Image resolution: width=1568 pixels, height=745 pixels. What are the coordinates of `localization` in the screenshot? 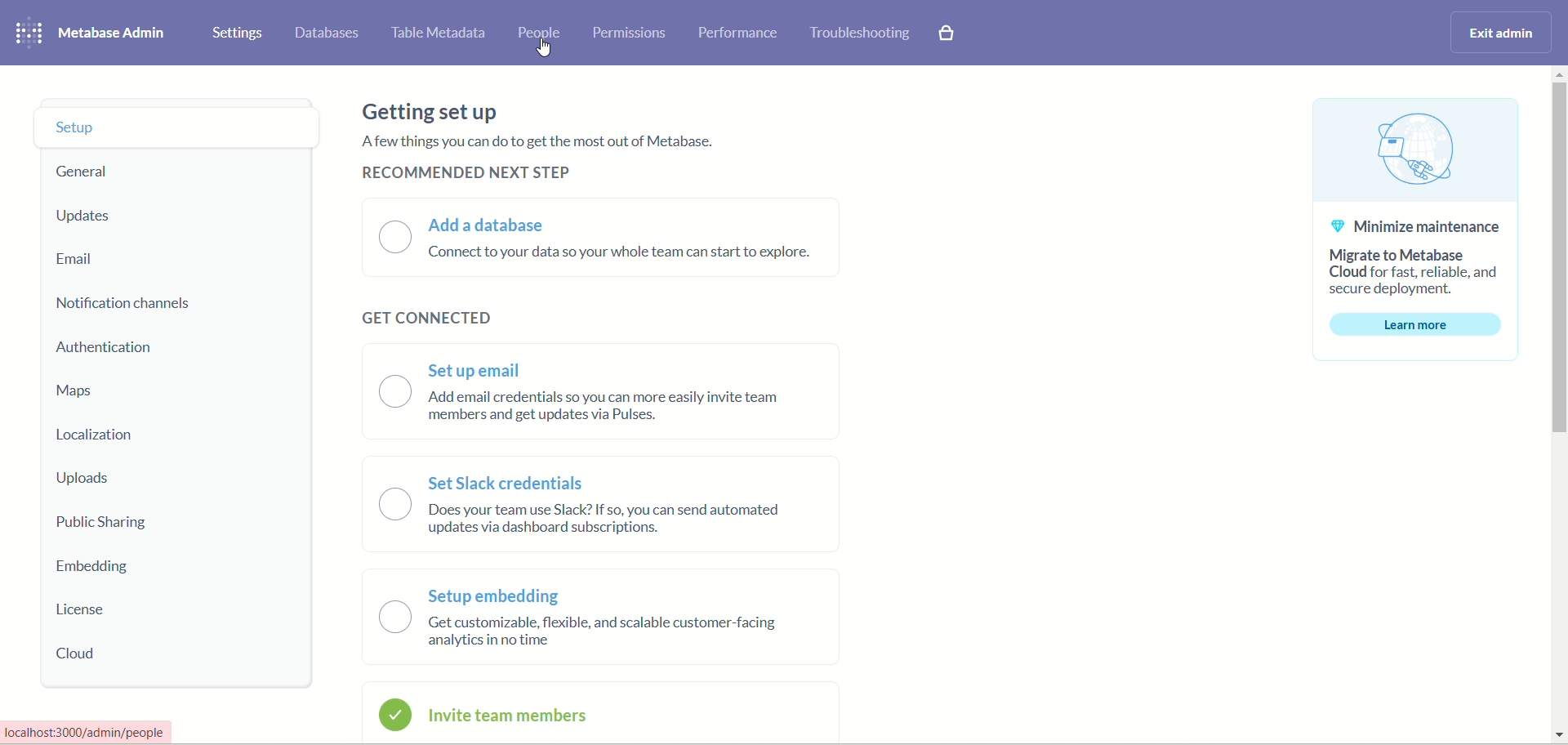 It's located at (101, 435).